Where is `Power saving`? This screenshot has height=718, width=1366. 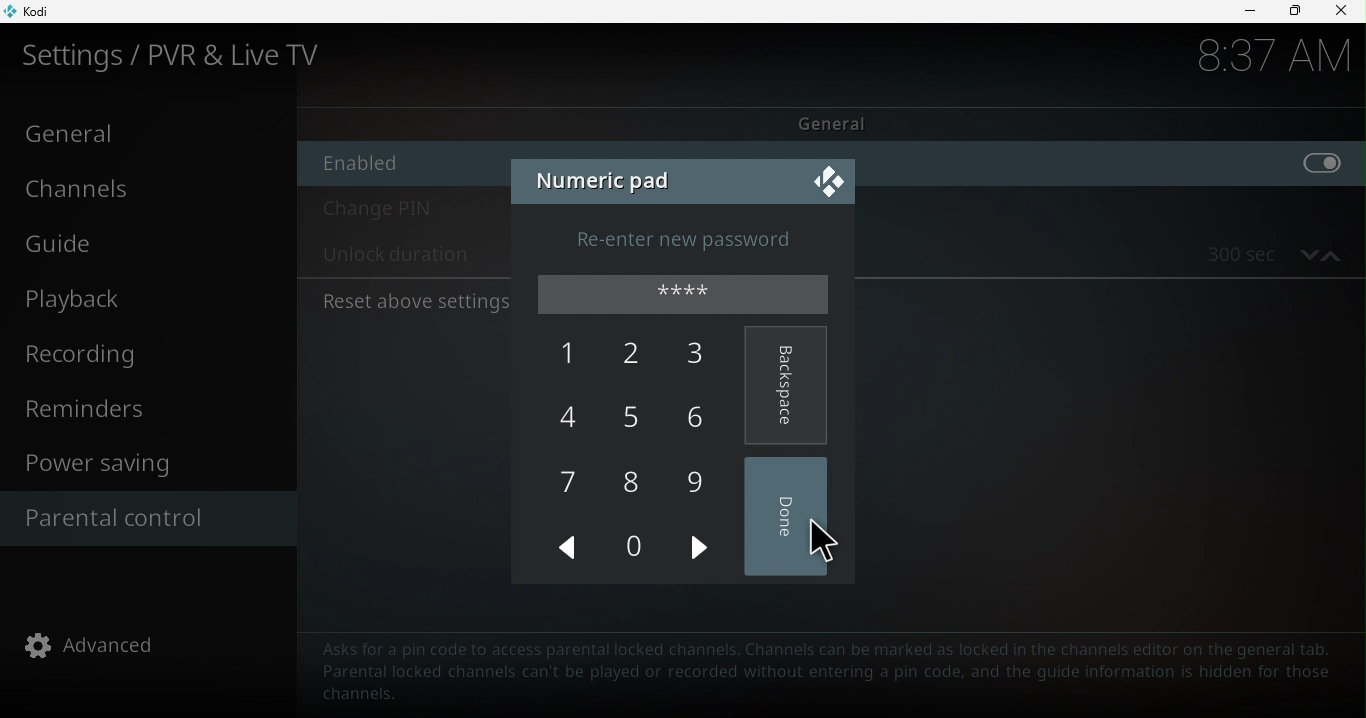 Power saving is located at coordinates (149, 464).